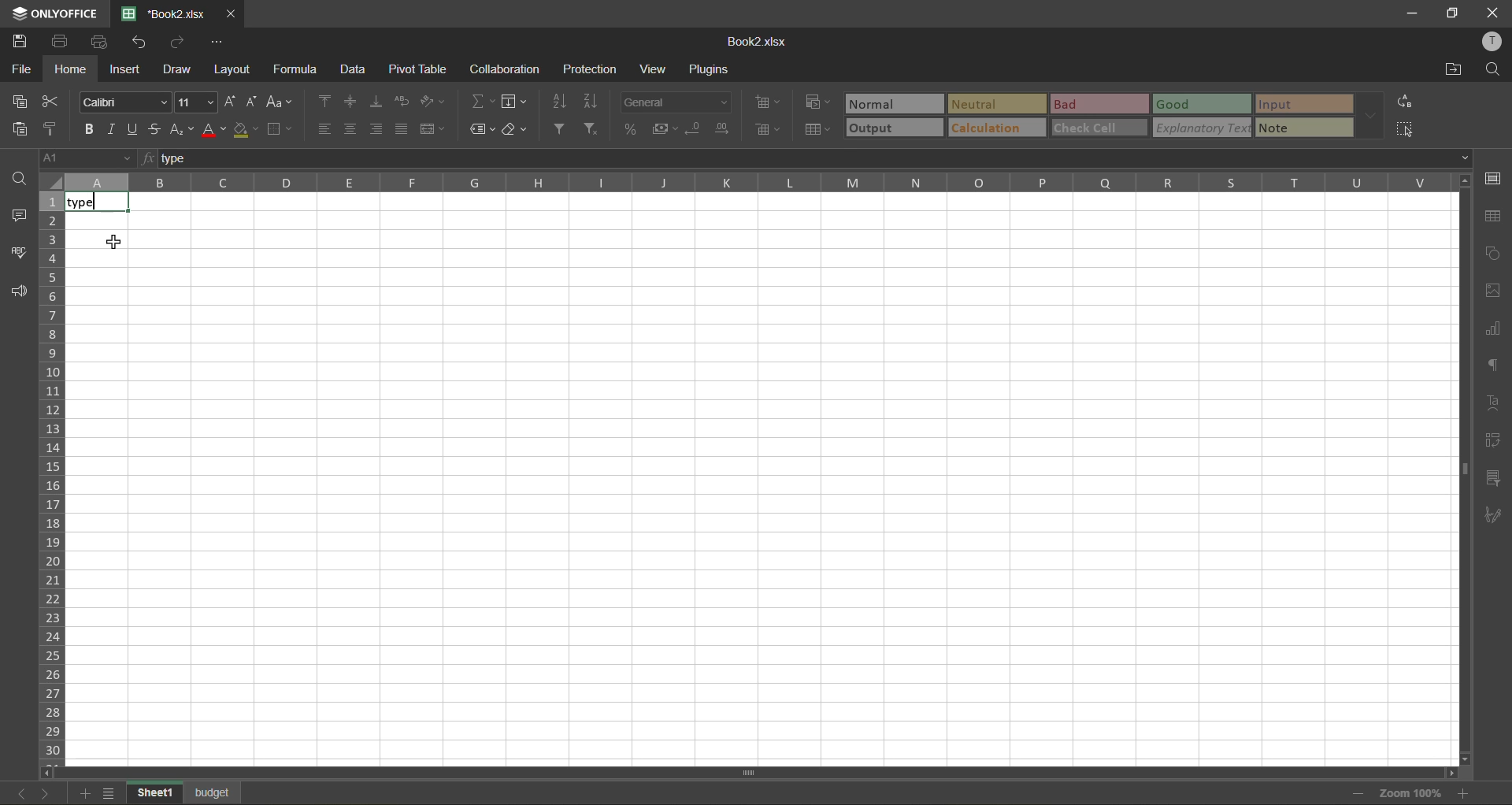 This screenshot has height=805, width=1512. Describe the element at coordinates (894, 127) in the screenshot. I see `output` at that location.